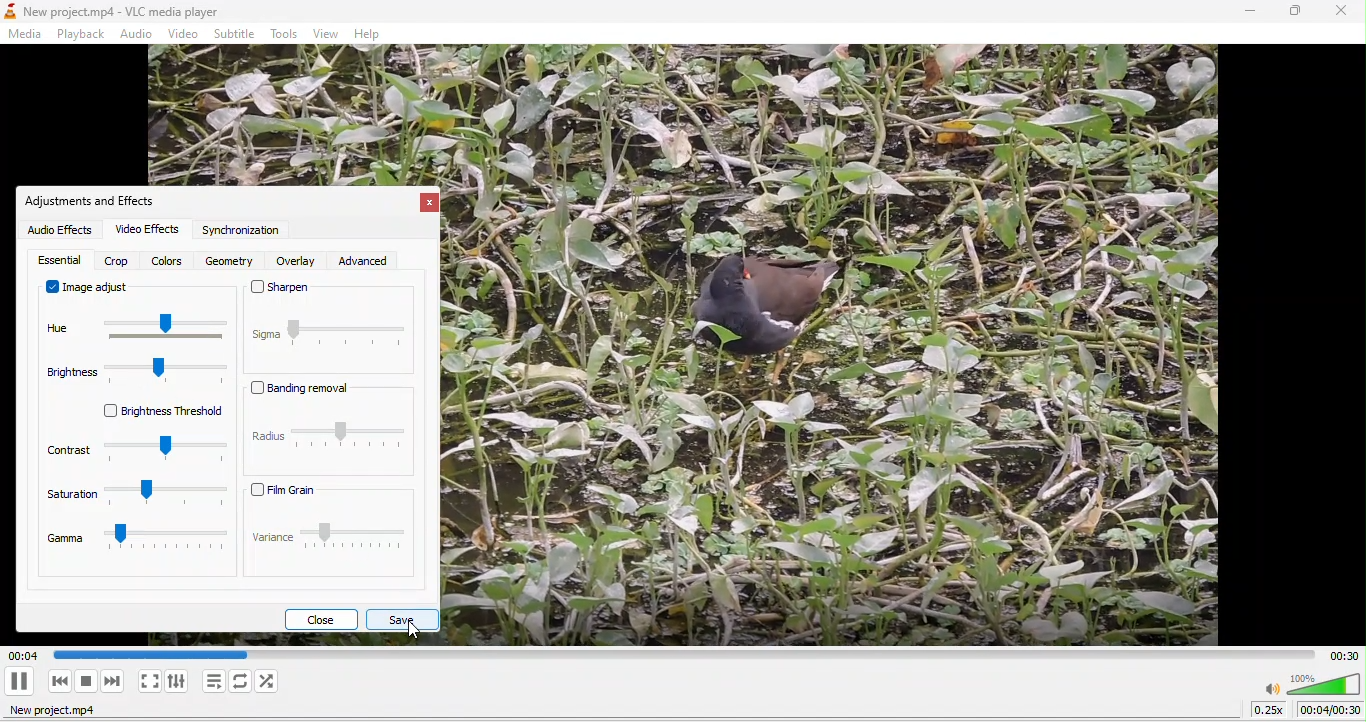  Describe the element at coordinates (422, 631) in the screenshot. I see `cursor movement` at that location.